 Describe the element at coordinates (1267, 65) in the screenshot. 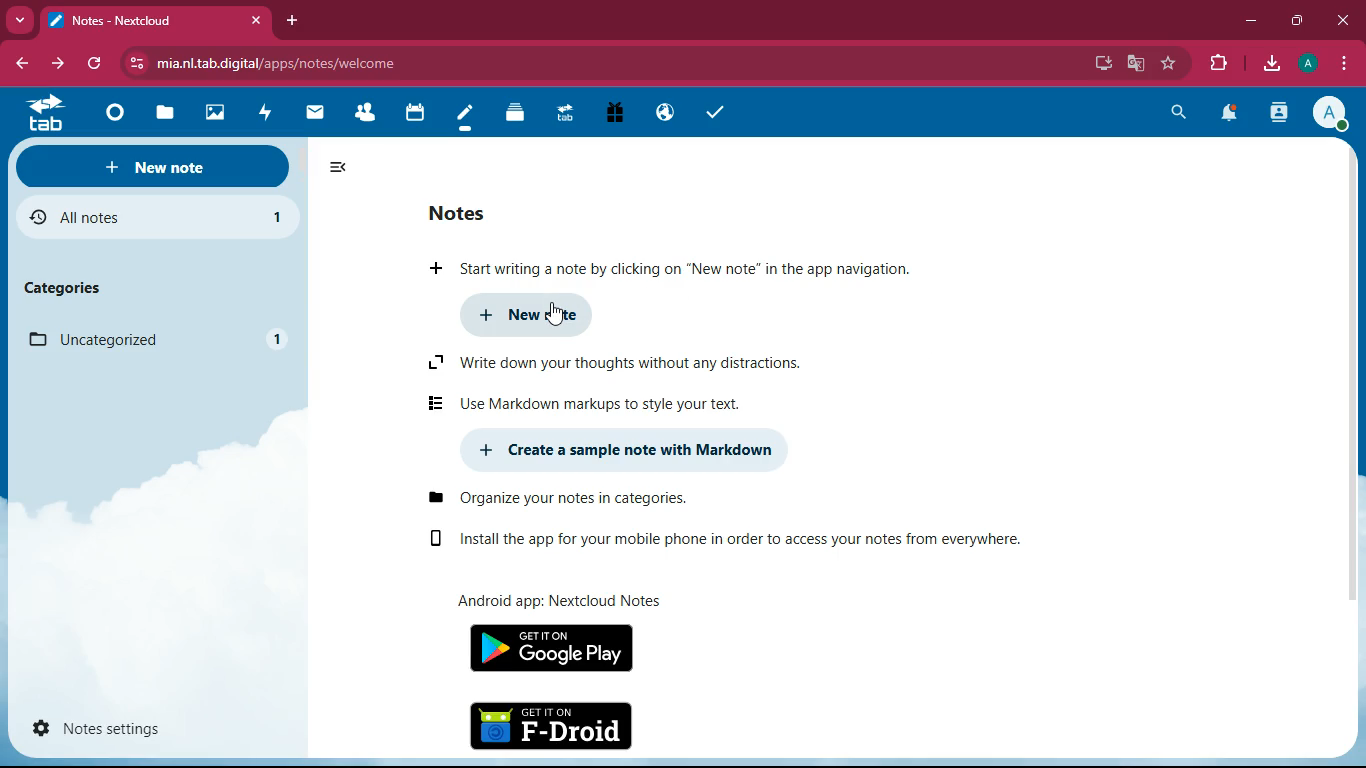

I see `download` at that location.